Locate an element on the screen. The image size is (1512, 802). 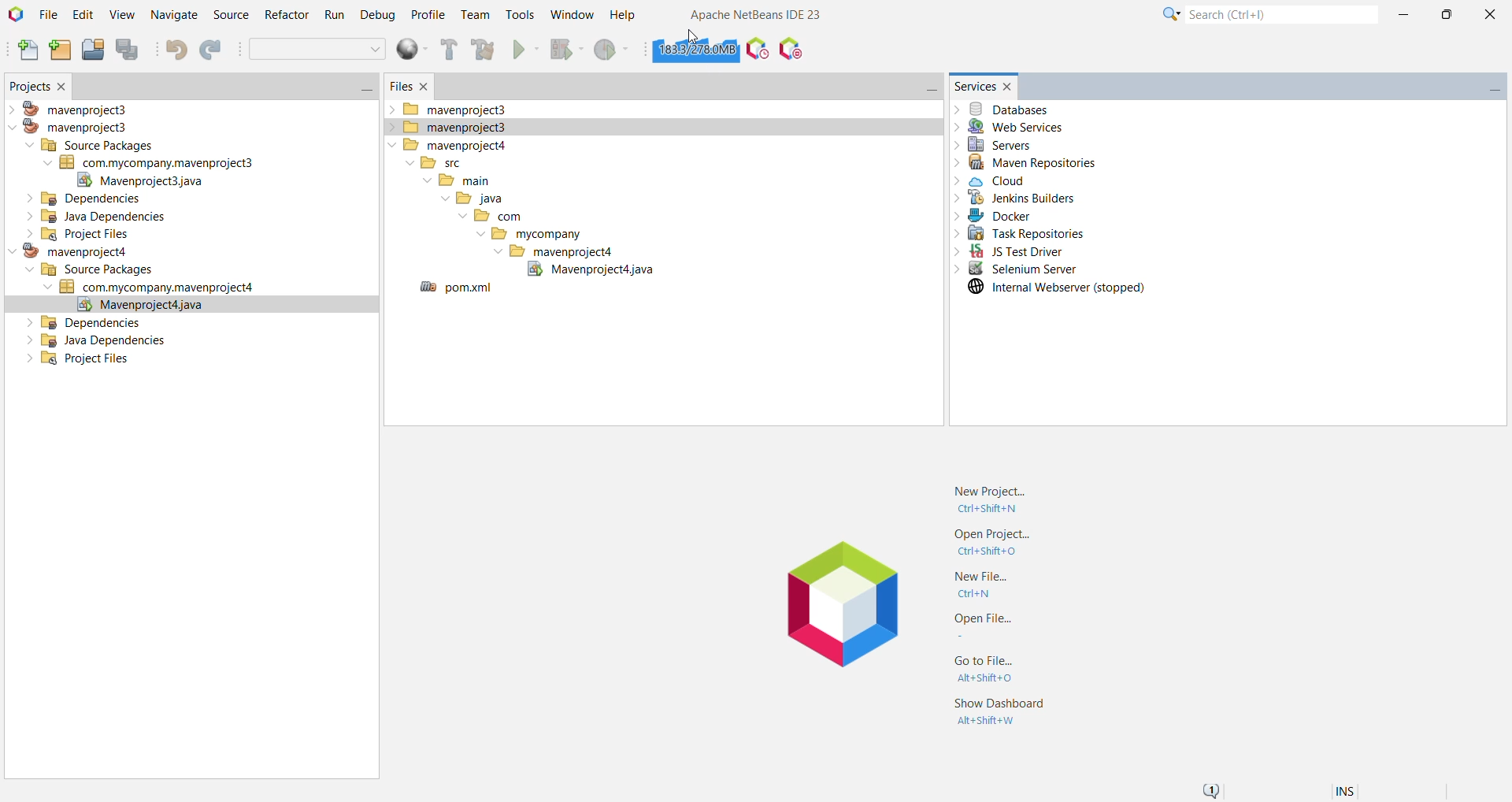
Mavenproject.java is located at coordinates (144, 183).